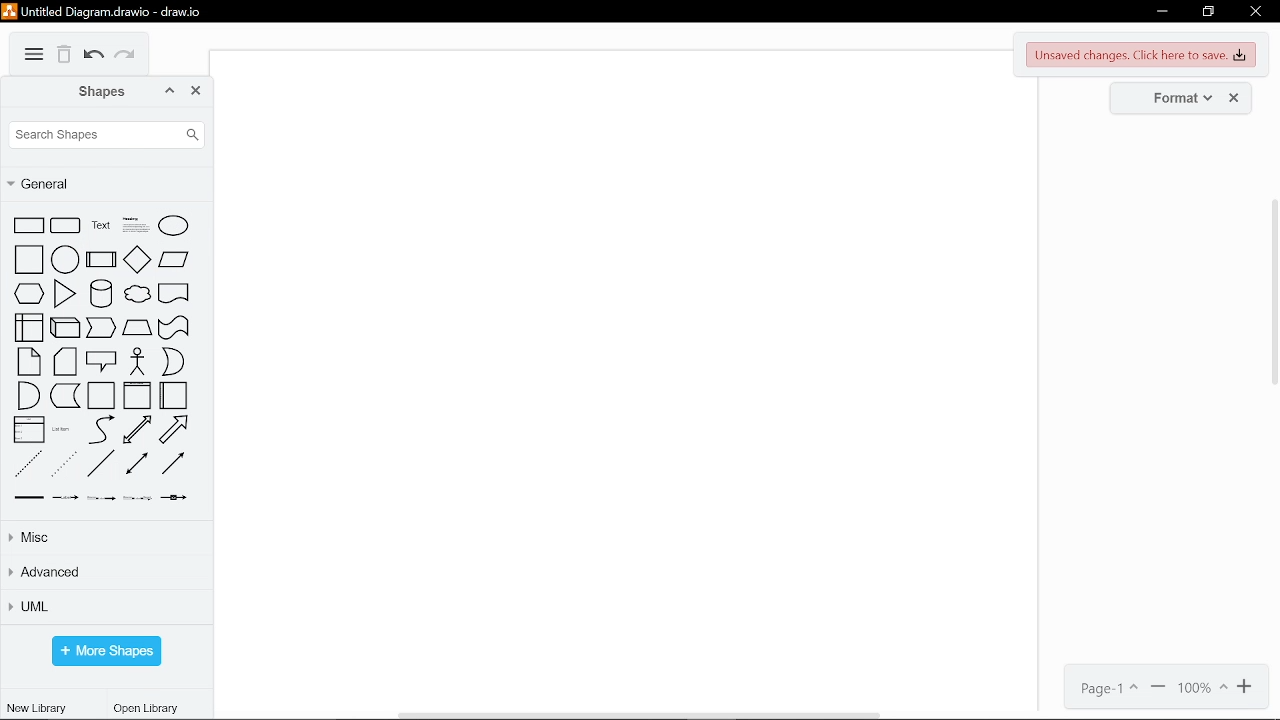 The image size is (1280, 720). What do you see at coordinates (66, 227) in the screenshot?
I see `rounded rectangle` at bounding box center [66, 227].